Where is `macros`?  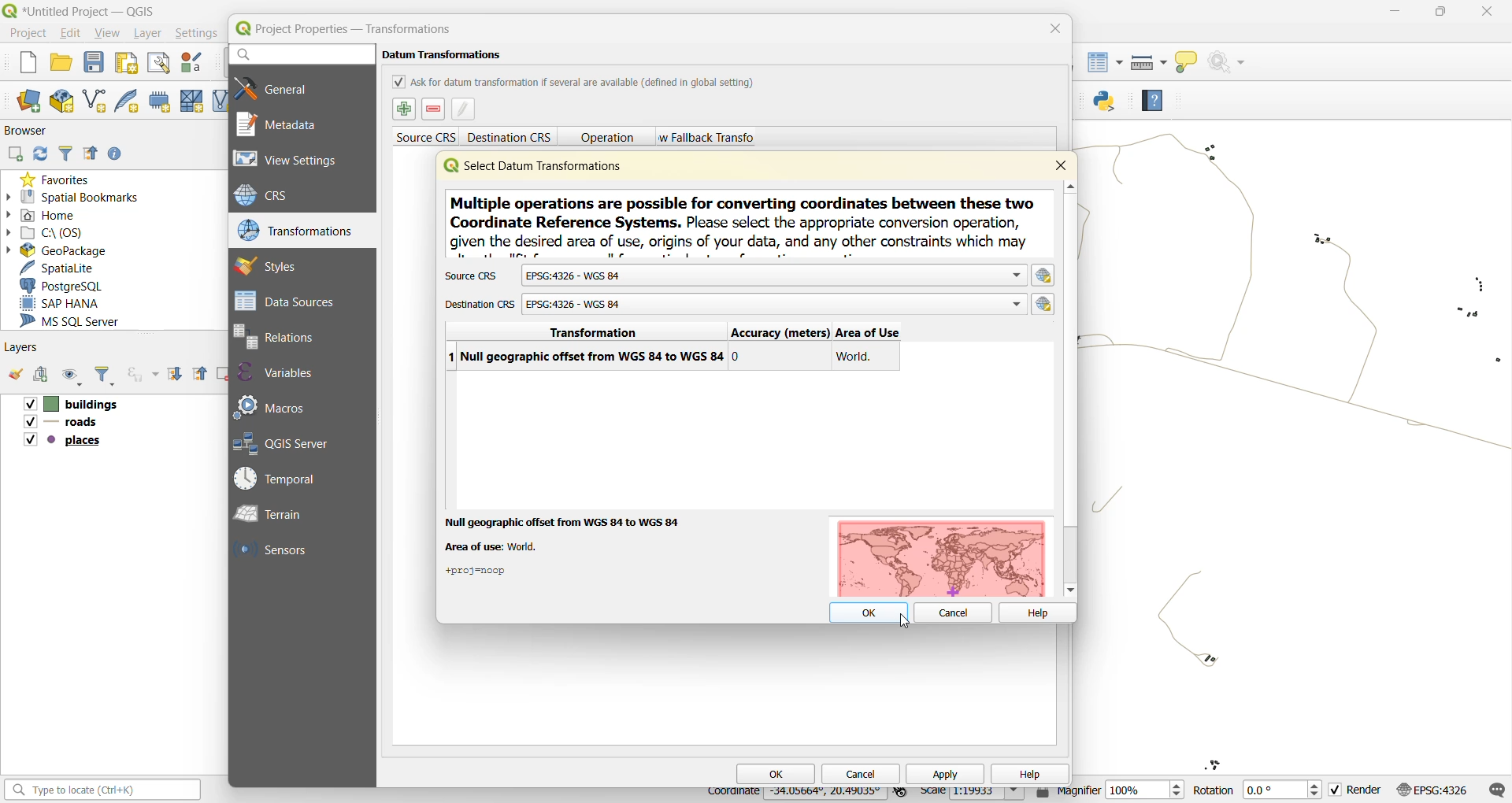
macros is located at coordinates (276, 405).